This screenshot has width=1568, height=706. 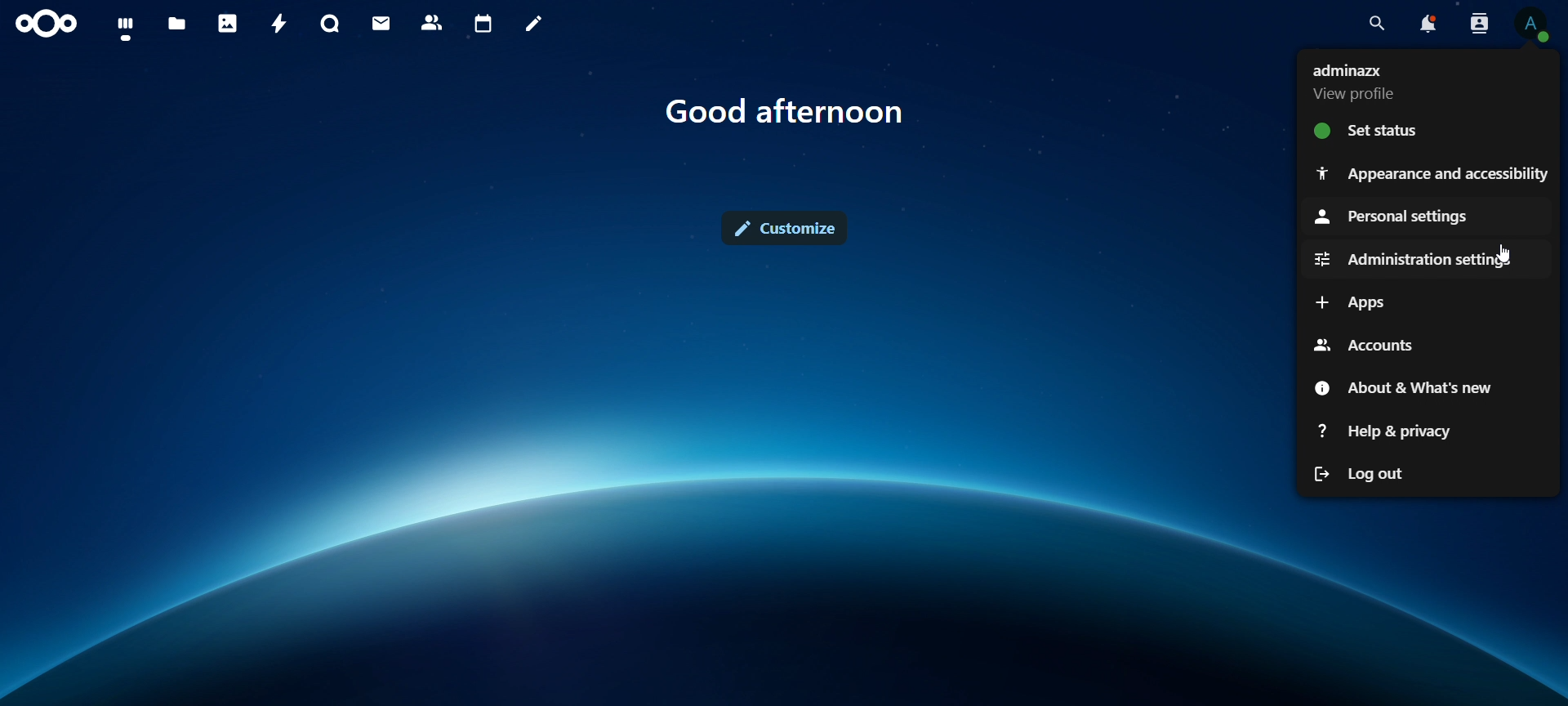 I want to click on icon, so click(x=51, y=24).